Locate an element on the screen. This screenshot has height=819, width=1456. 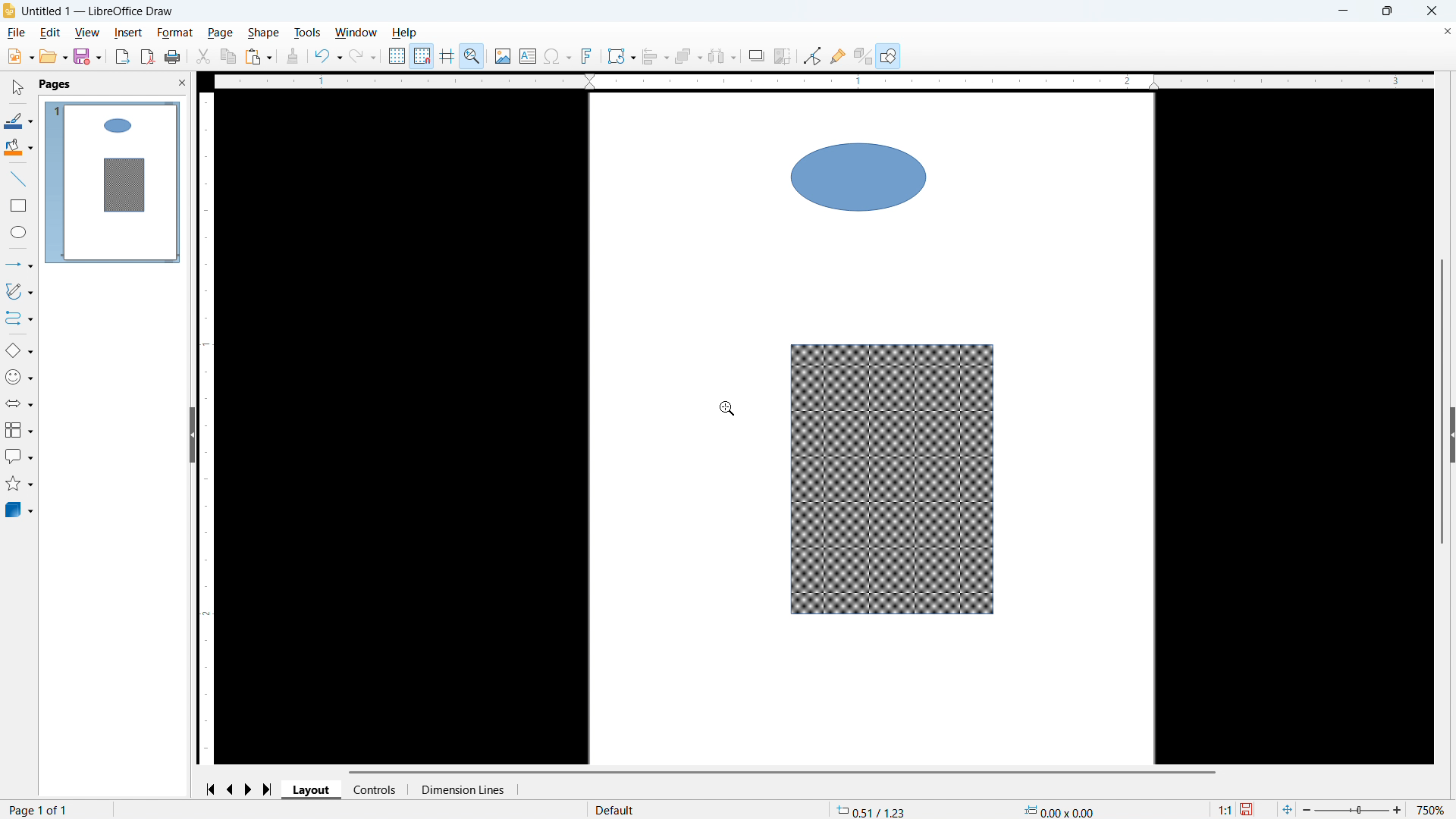
Guidelines while moving  is located at coordinates (447, 55).